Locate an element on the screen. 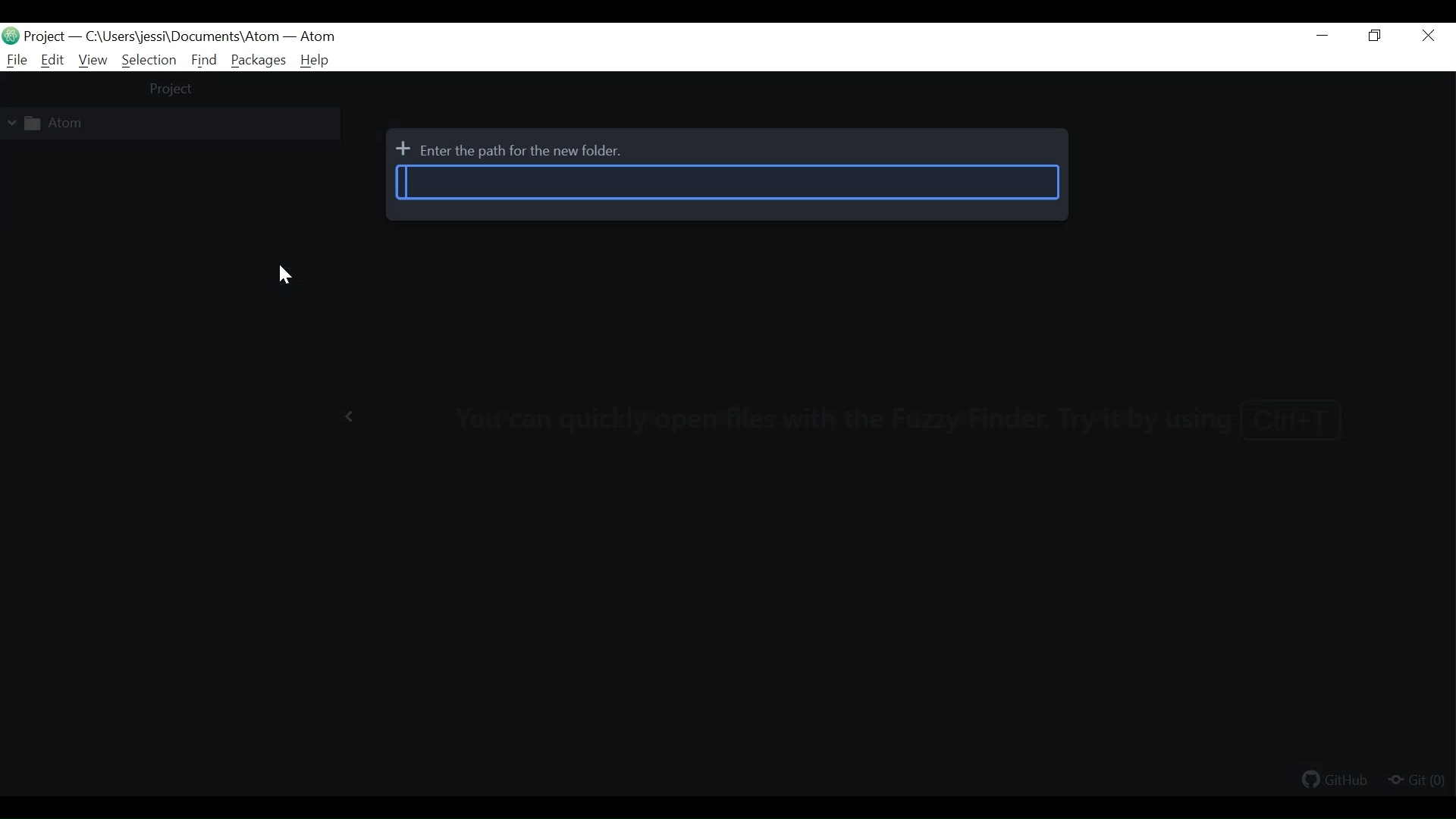 The image size is (1456, 819). Enter the path for the new folder is located at coordinates (513, 152).